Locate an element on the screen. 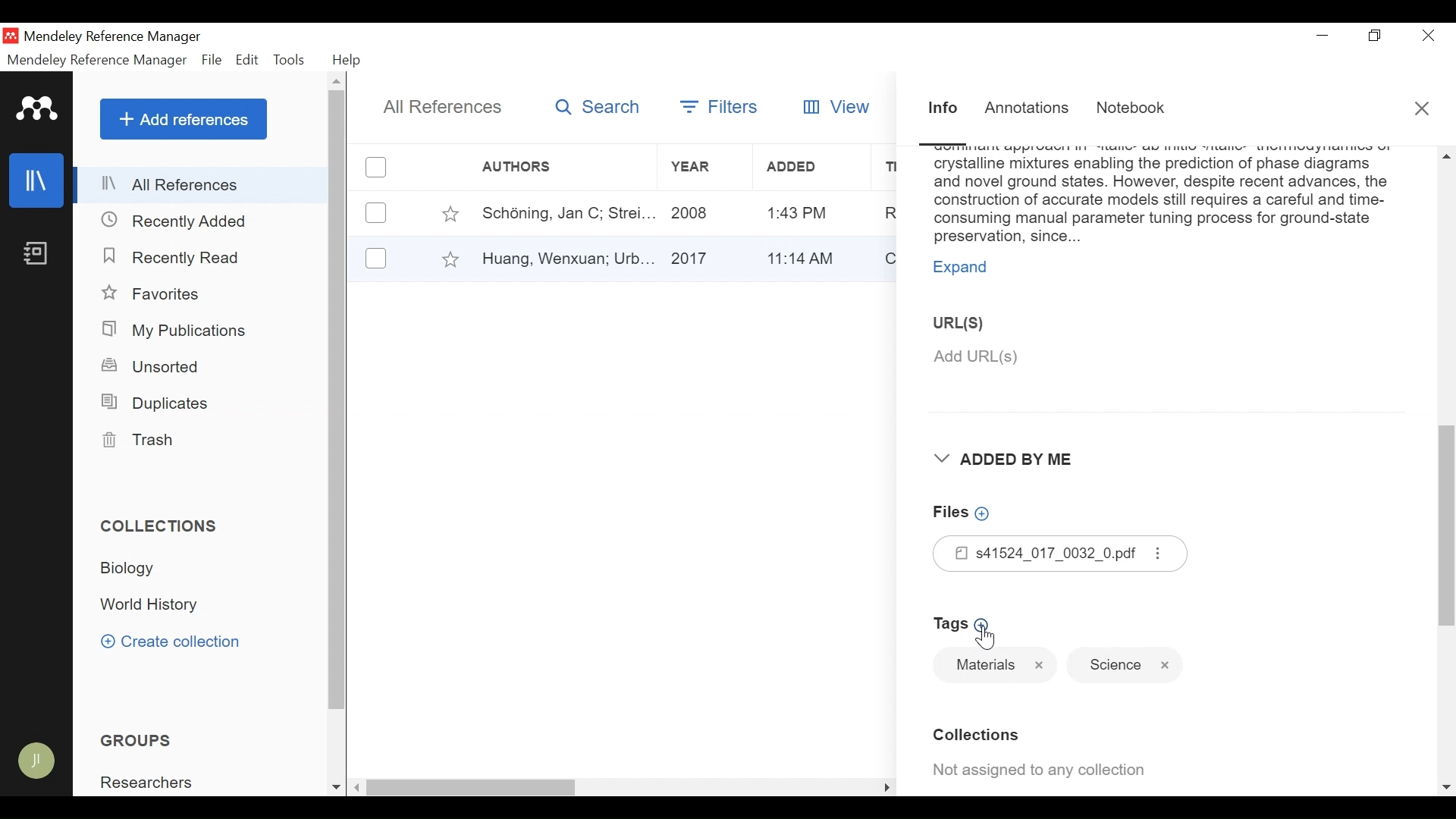 The image size is (1456, 819). Information is located at coordinates (944, 109).